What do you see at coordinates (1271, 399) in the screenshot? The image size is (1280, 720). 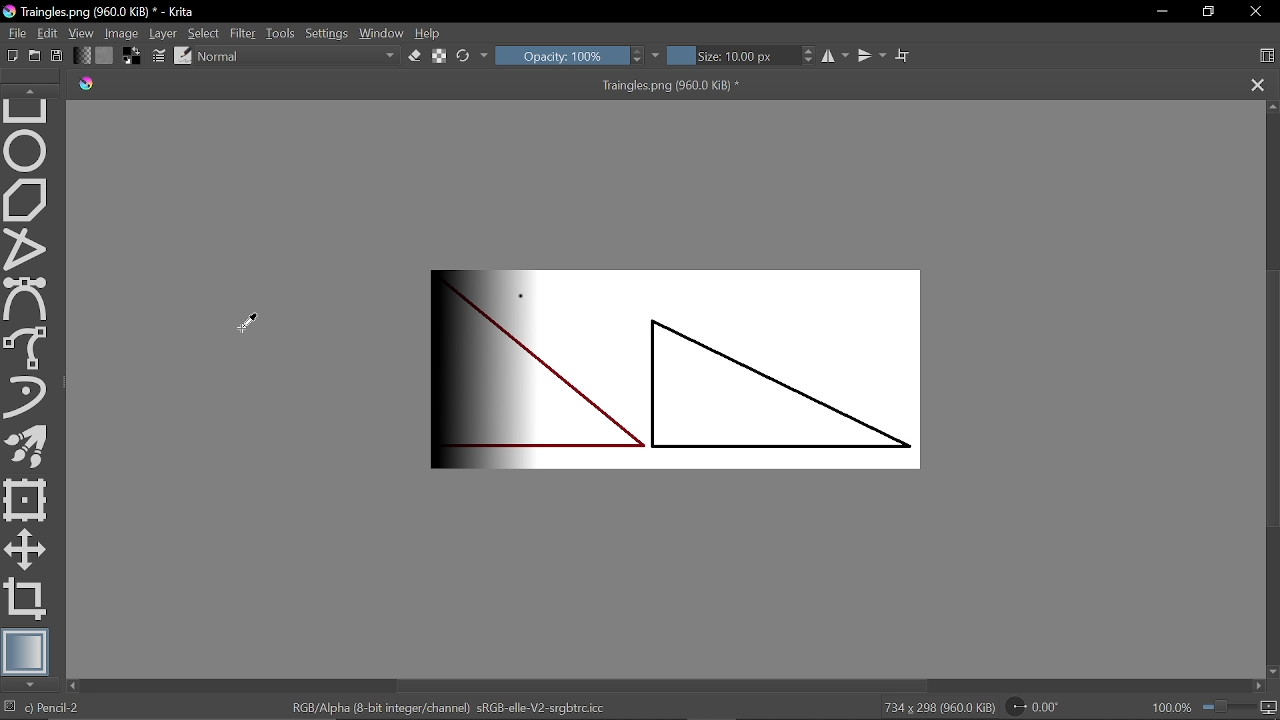 I see `Vertical scrollbar` at bounding box center [1271, 399].